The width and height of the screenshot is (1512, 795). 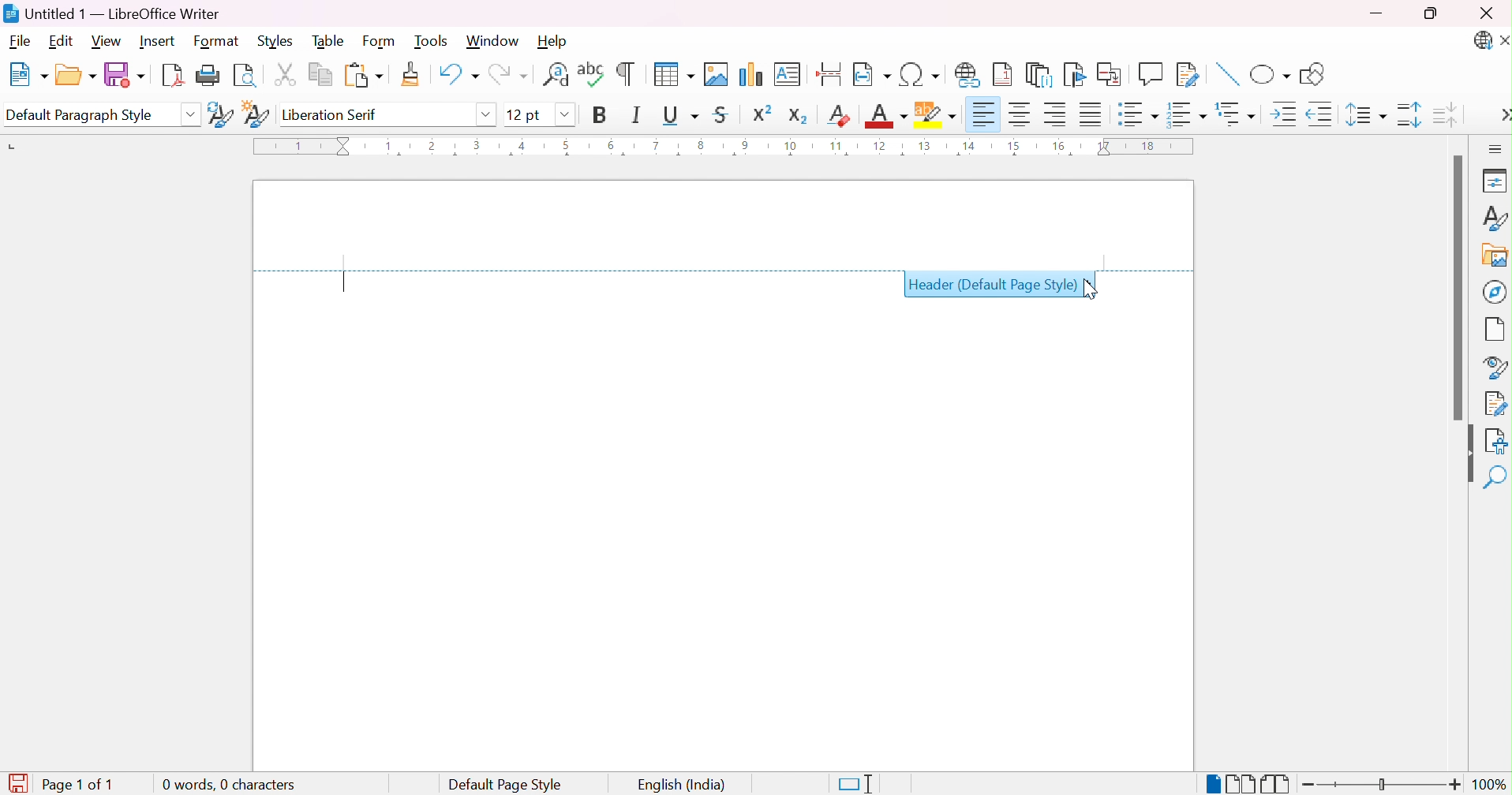 I want to click on Drop down, so click(x=564, y=114).